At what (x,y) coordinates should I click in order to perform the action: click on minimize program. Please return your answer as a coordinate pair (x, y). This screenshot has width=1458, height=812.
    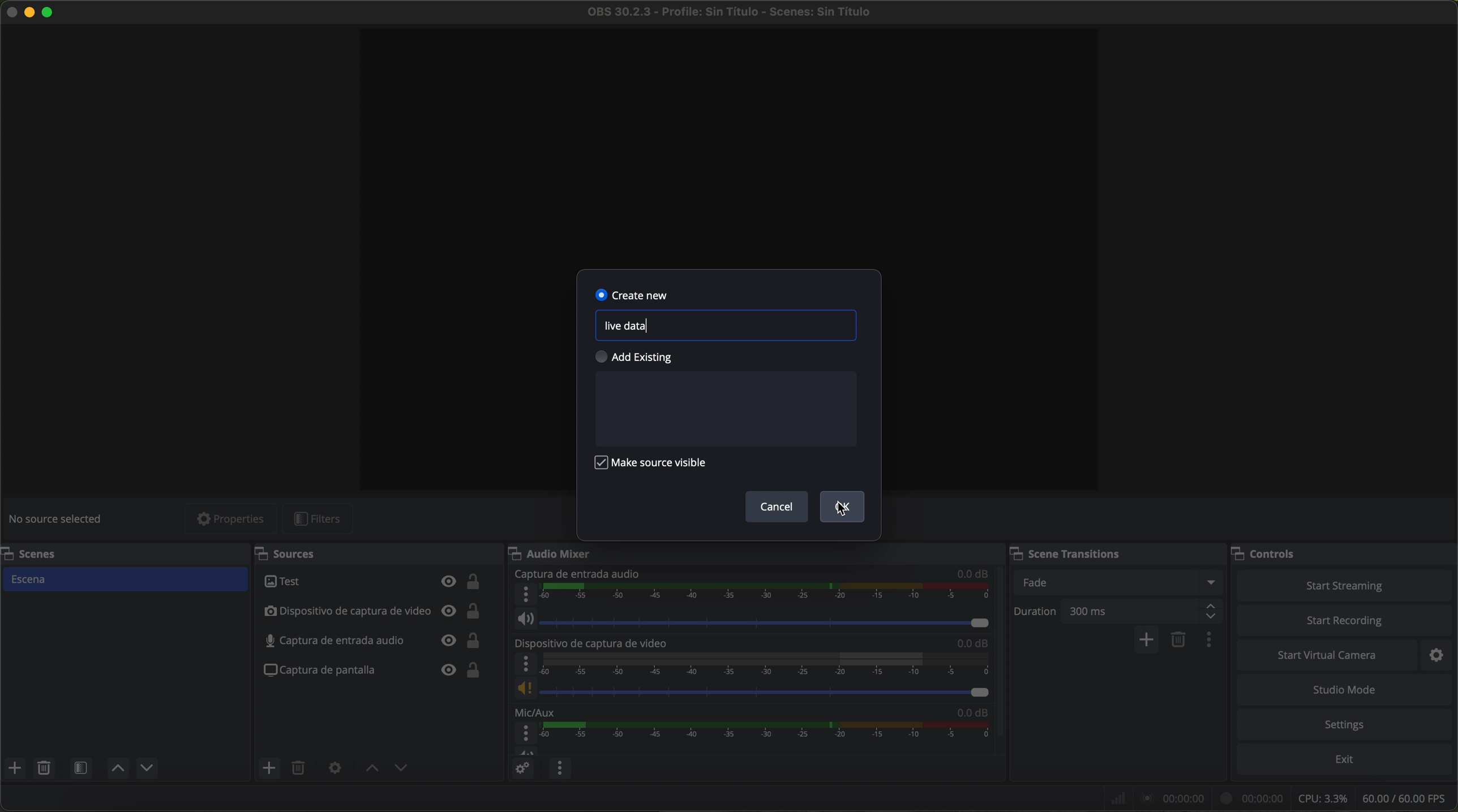
    Looking at the image, I should click on (29, 14).